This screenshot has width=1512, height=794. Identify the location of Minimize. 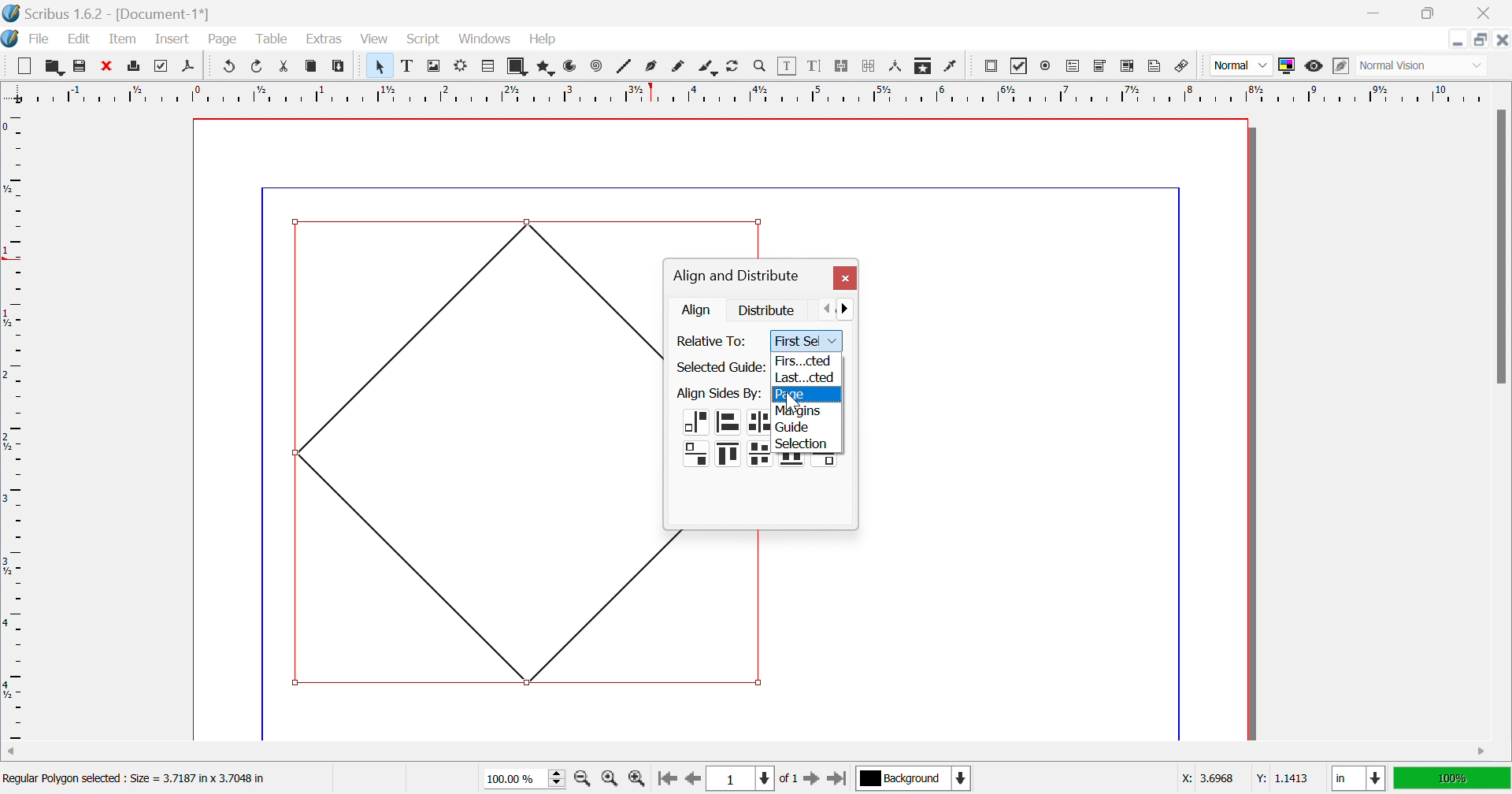
(1458, 39).